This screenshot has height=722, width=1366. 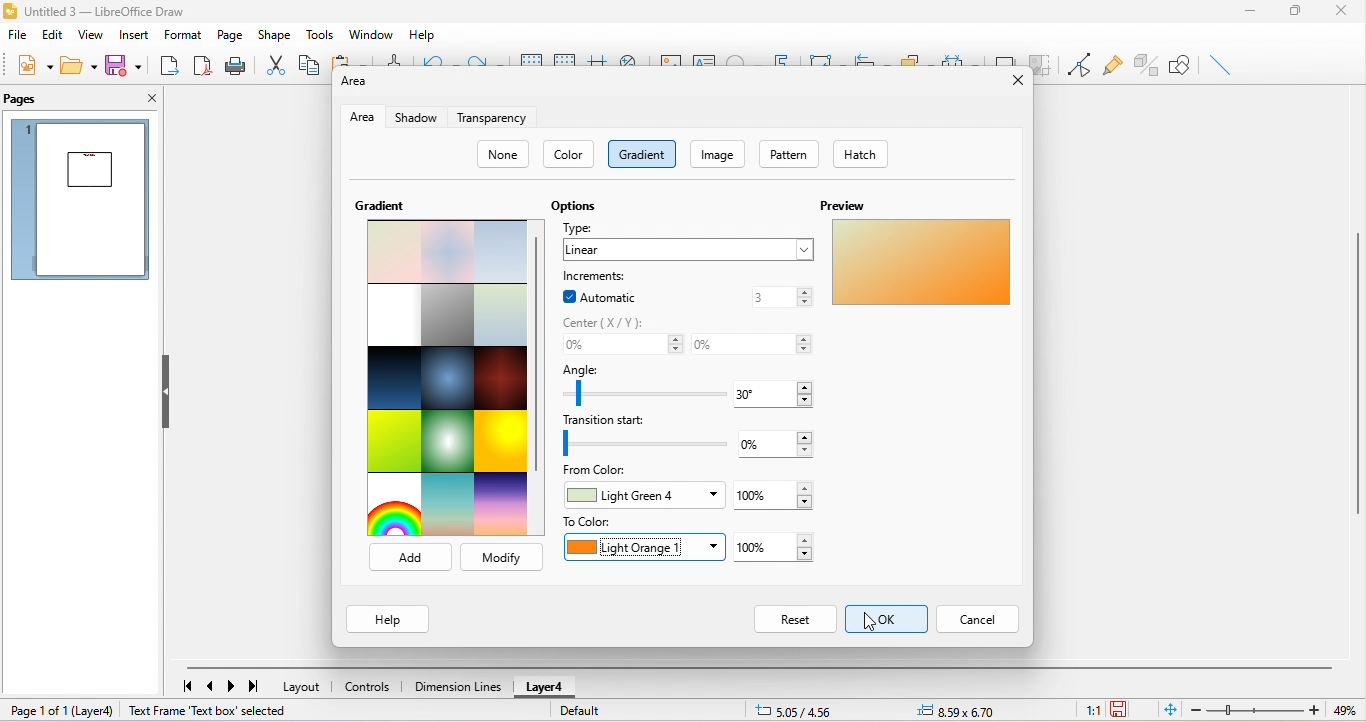 What do you see at coordinates (959, 56) in the screenshot?
I see `select at least three object` at bounding box center [959, 56].